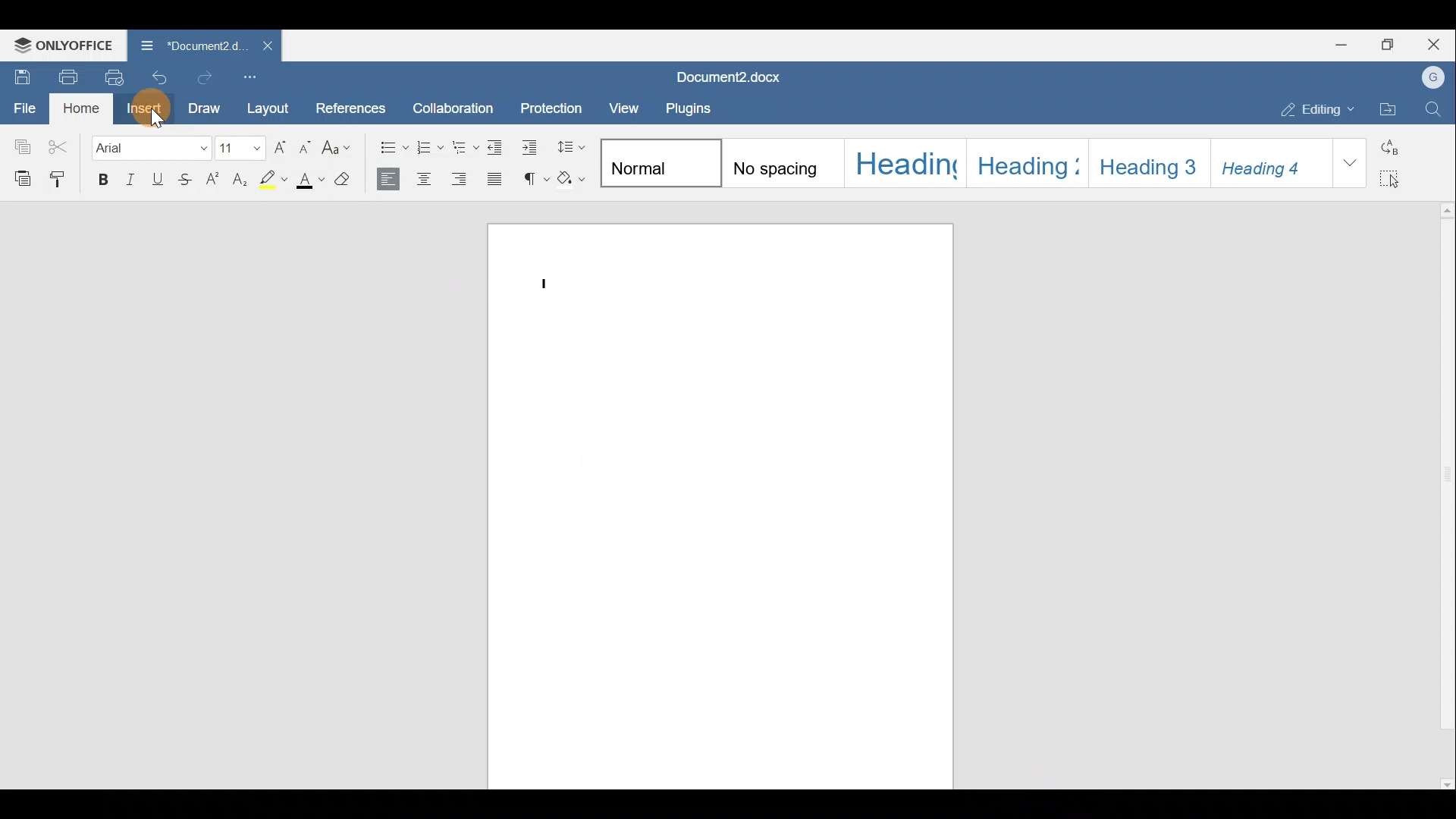 This screenshot has width=1456, height=819. What do you see at coordinates (1316, 106) in the screenshot?
I see `Editing mode` at bounding box center [1316, 106].